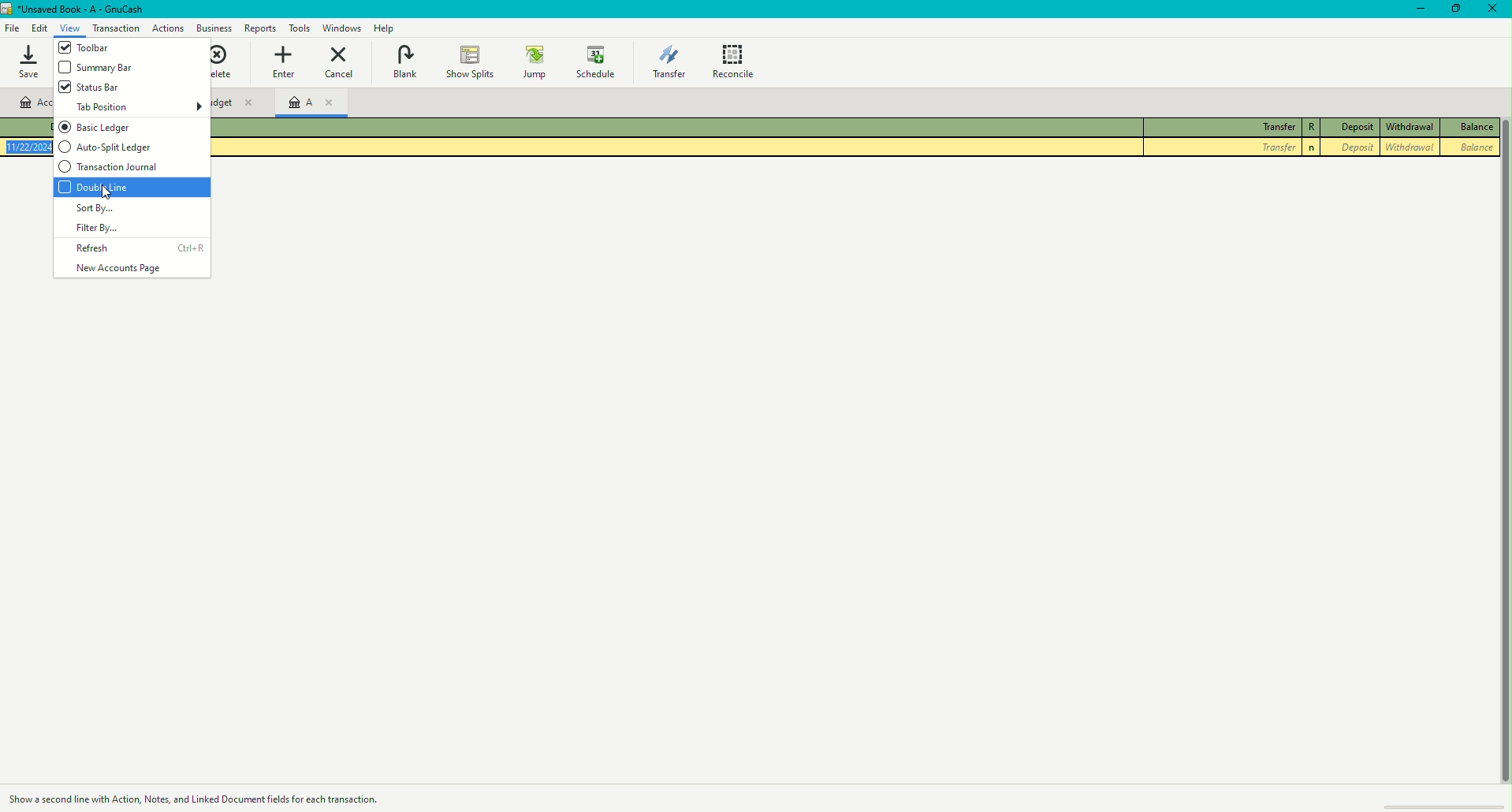  I want to click on Help, so click(387, 28).